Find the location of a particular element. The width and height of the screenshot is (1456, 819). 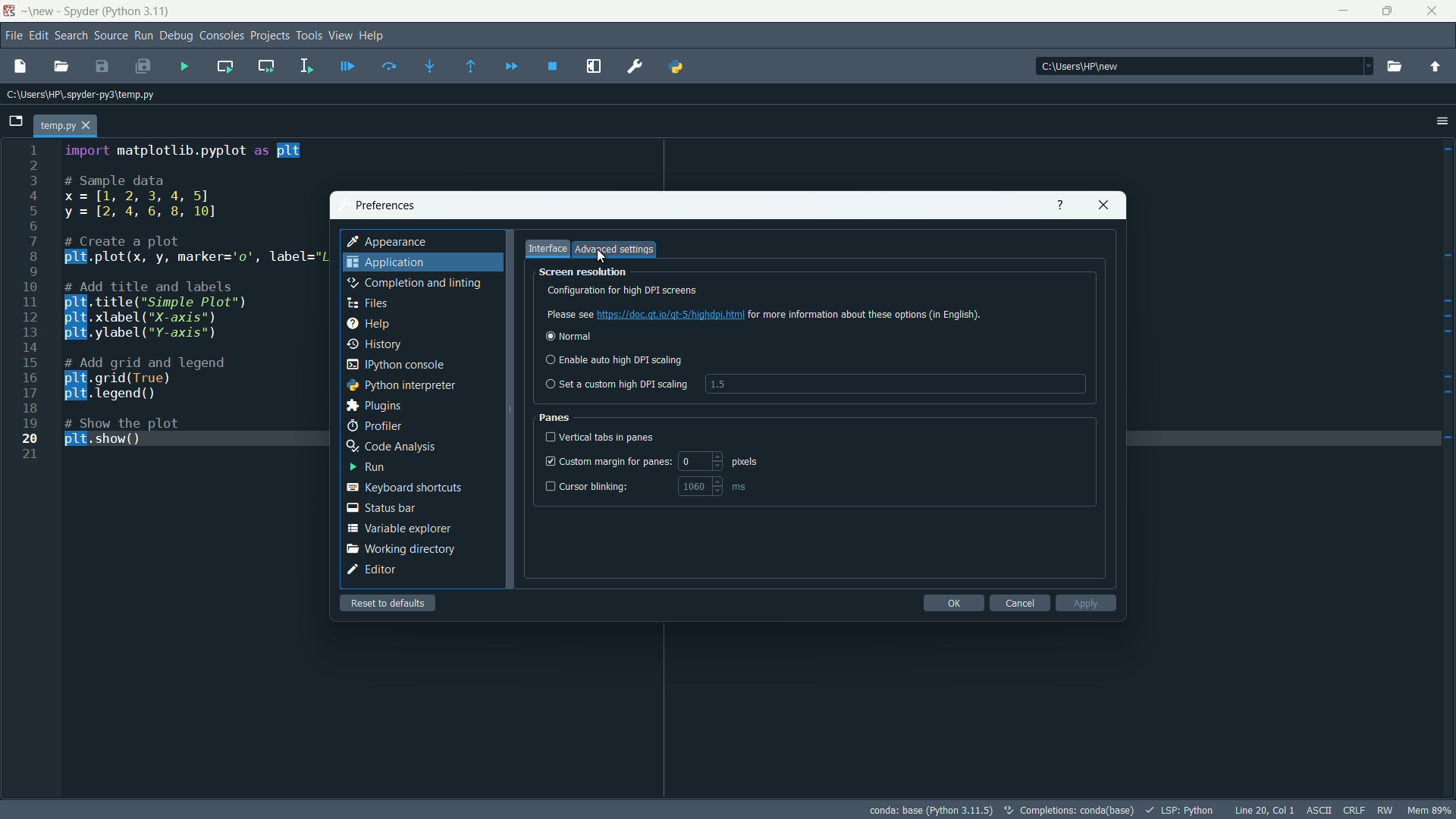

step into function is located at coordinates (431, 66).